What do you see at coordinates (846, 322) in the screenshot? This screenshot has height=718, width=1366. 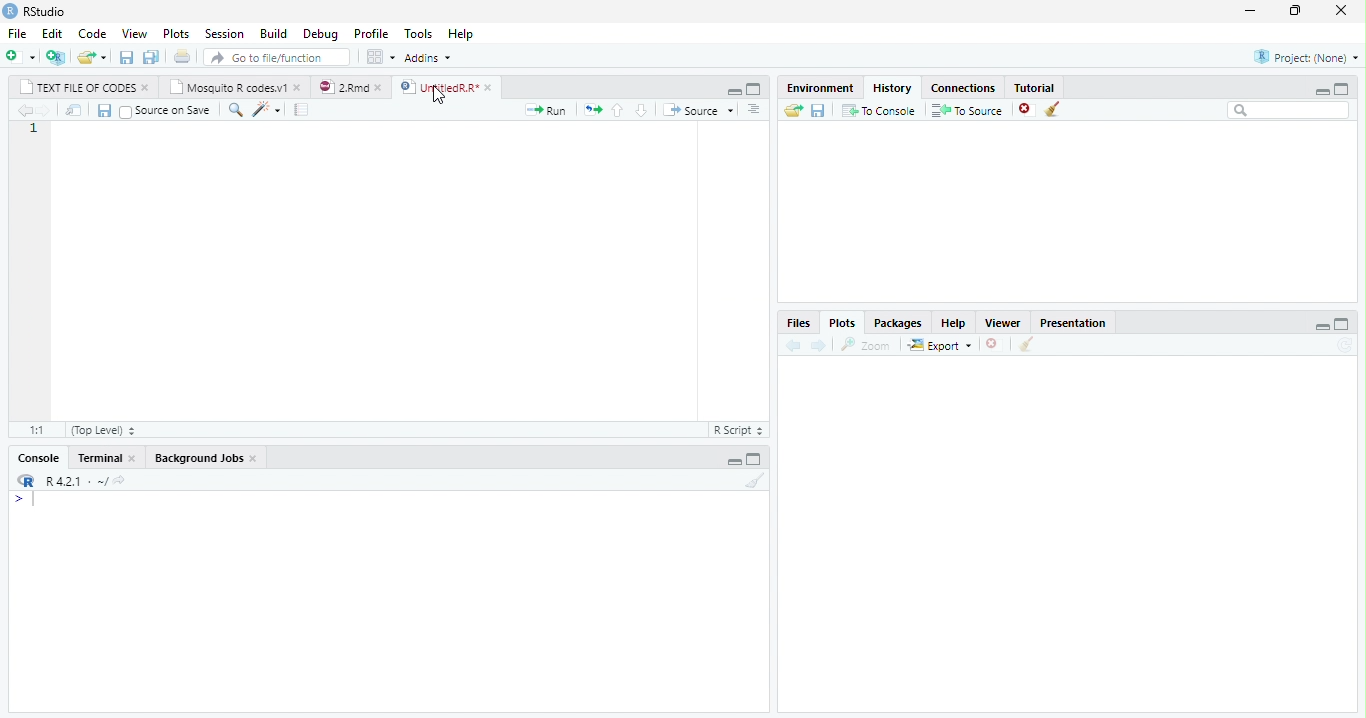 I see `plots` at bounding box center [846, 322].